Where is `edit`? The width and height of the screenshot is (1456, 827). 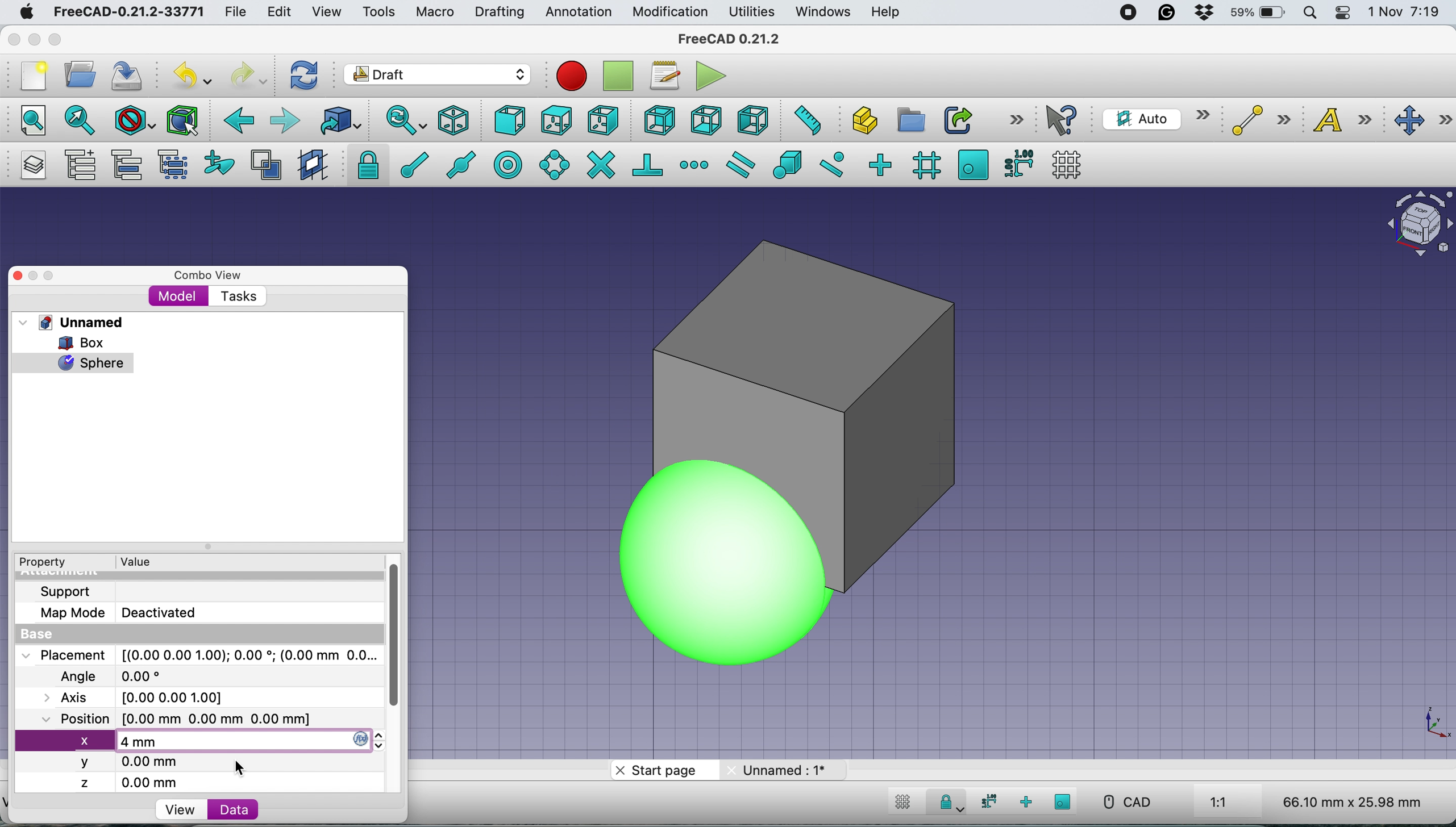
edit is located at coordinates (281, 13).